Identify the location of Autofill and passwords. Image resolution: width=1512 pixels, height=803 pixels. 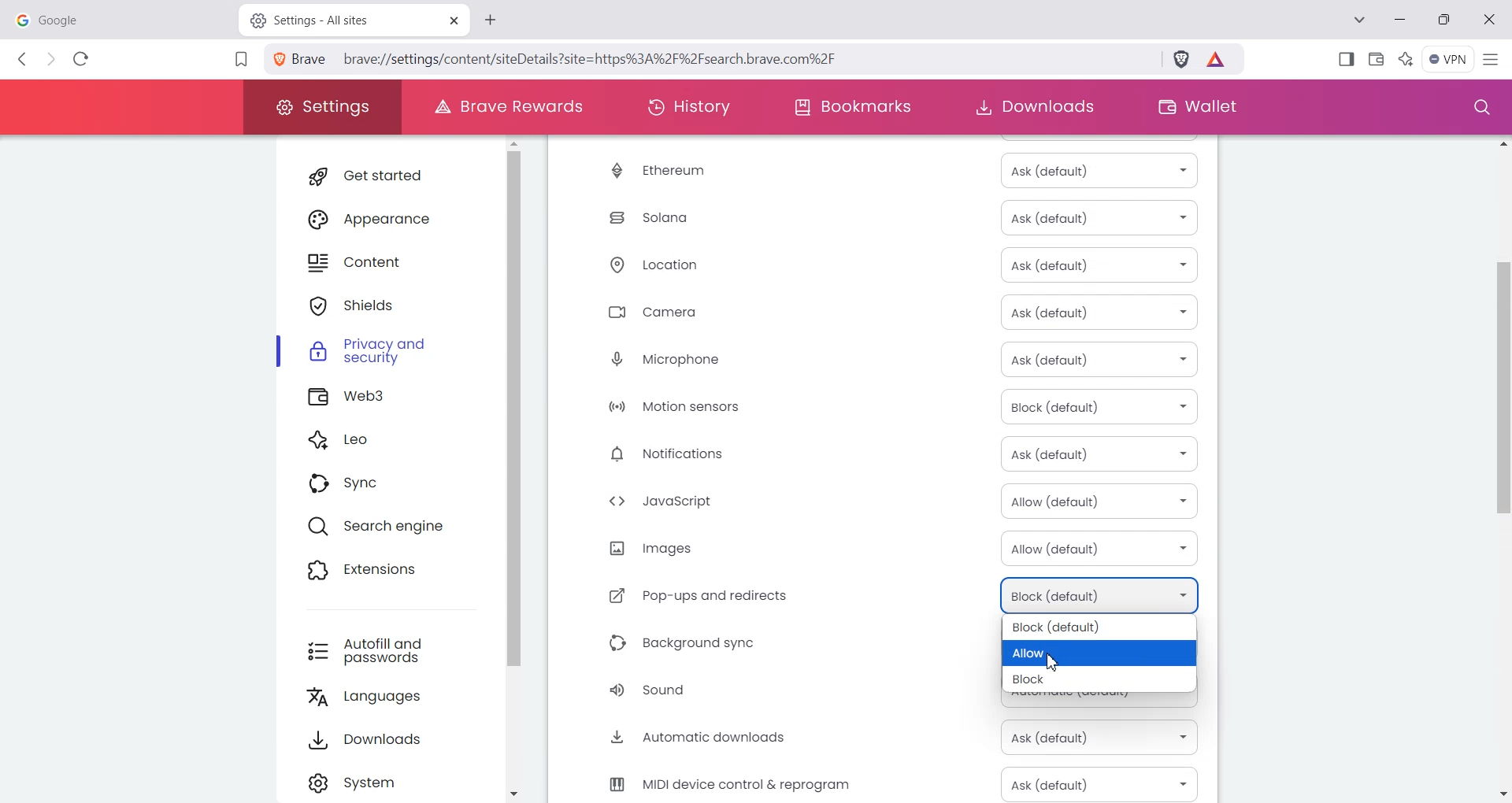
(394, 651).